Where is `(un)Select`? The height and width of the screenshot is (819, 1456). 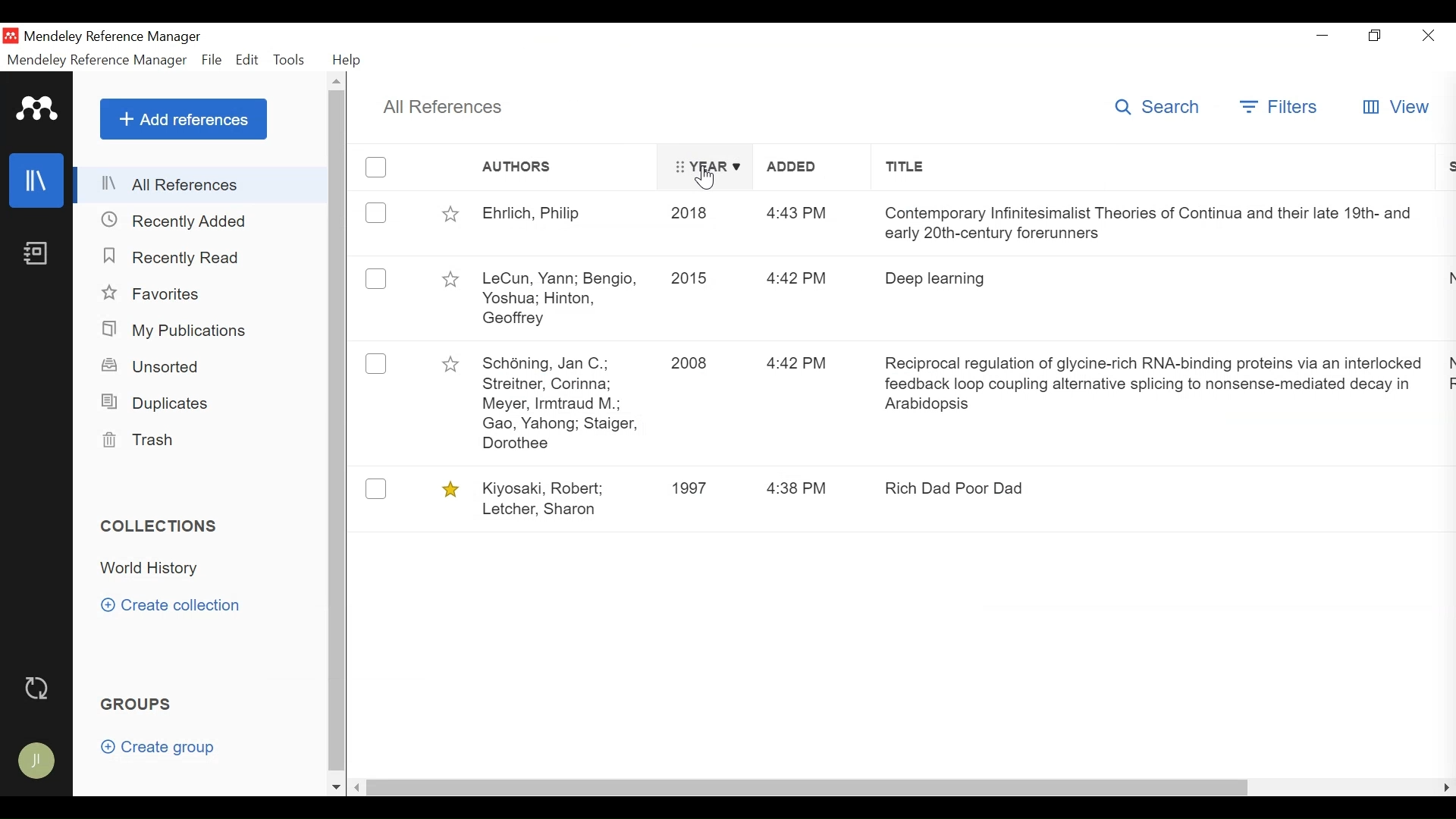
(un)Select is located at coordinates (376, 165).